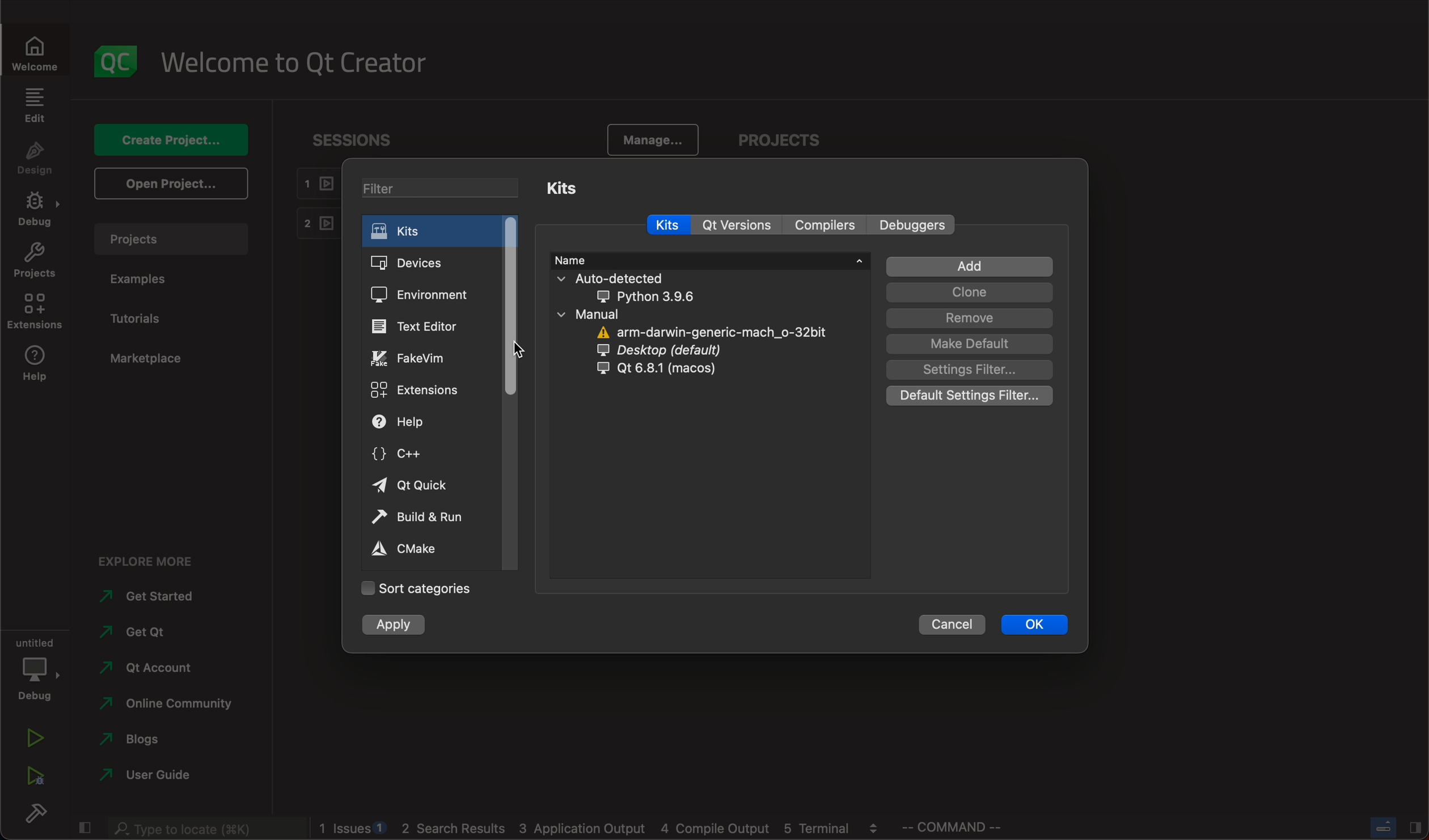  Describe the element at coordinates (653, 139) in the screenshot. I see `manage` at that location.